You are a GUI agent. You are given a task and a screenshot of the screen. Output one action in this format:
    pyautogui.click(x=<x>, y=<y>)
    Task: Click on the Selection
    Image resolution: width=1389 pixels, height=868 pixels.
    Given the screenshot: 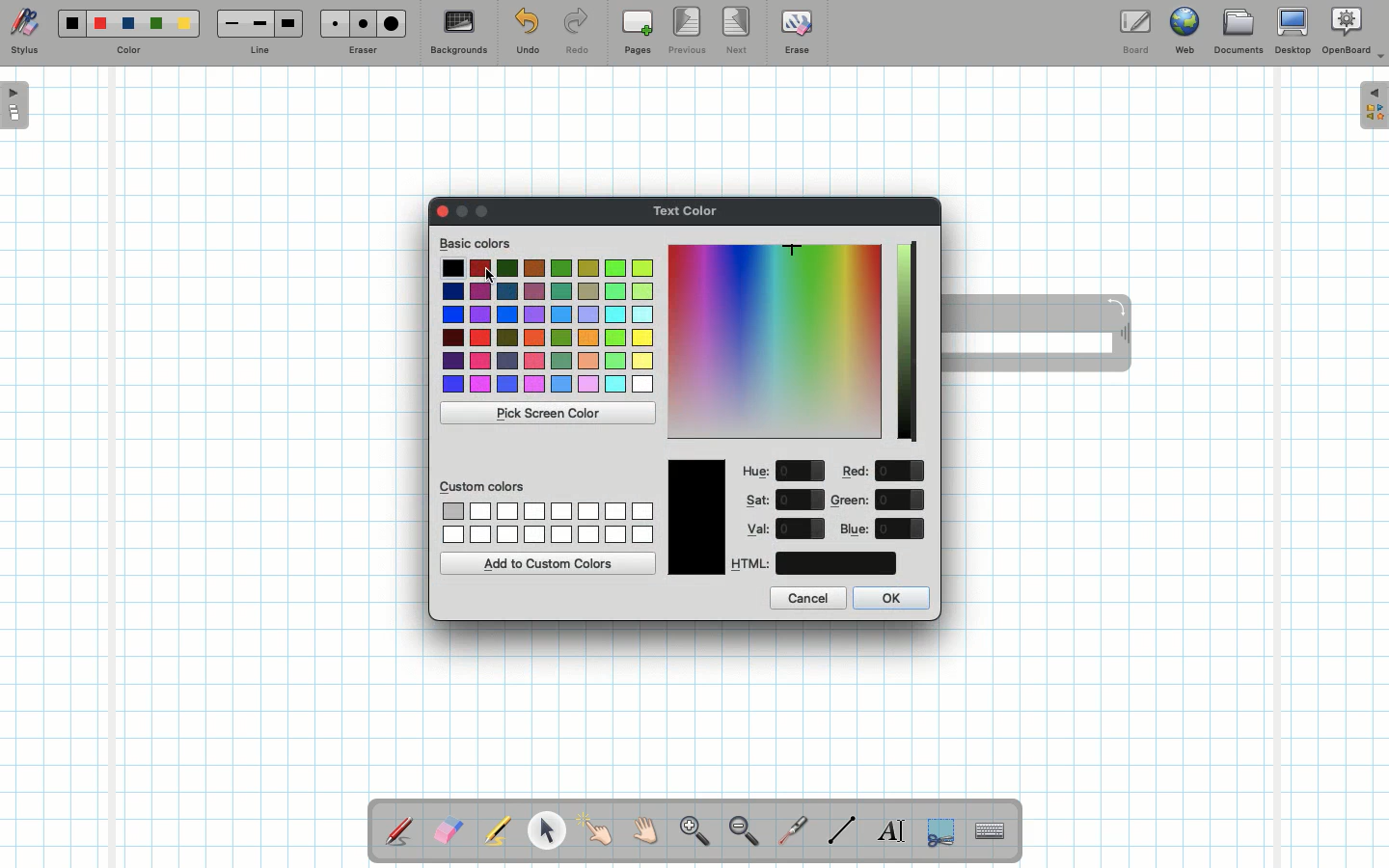 What is the action you would take?
    pyautogui.click(x=939, y=829)
    